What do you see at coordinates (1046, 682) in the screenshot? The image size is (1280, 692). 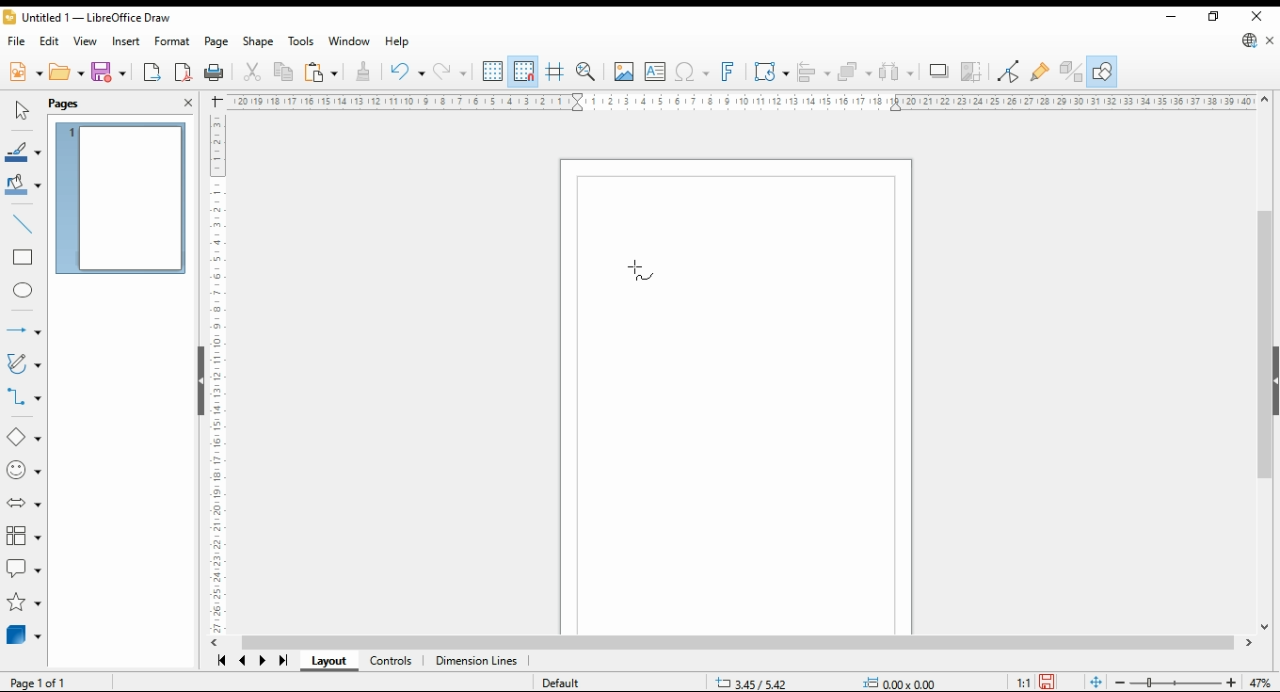 I see `save` at bounding box center [1046, 682].